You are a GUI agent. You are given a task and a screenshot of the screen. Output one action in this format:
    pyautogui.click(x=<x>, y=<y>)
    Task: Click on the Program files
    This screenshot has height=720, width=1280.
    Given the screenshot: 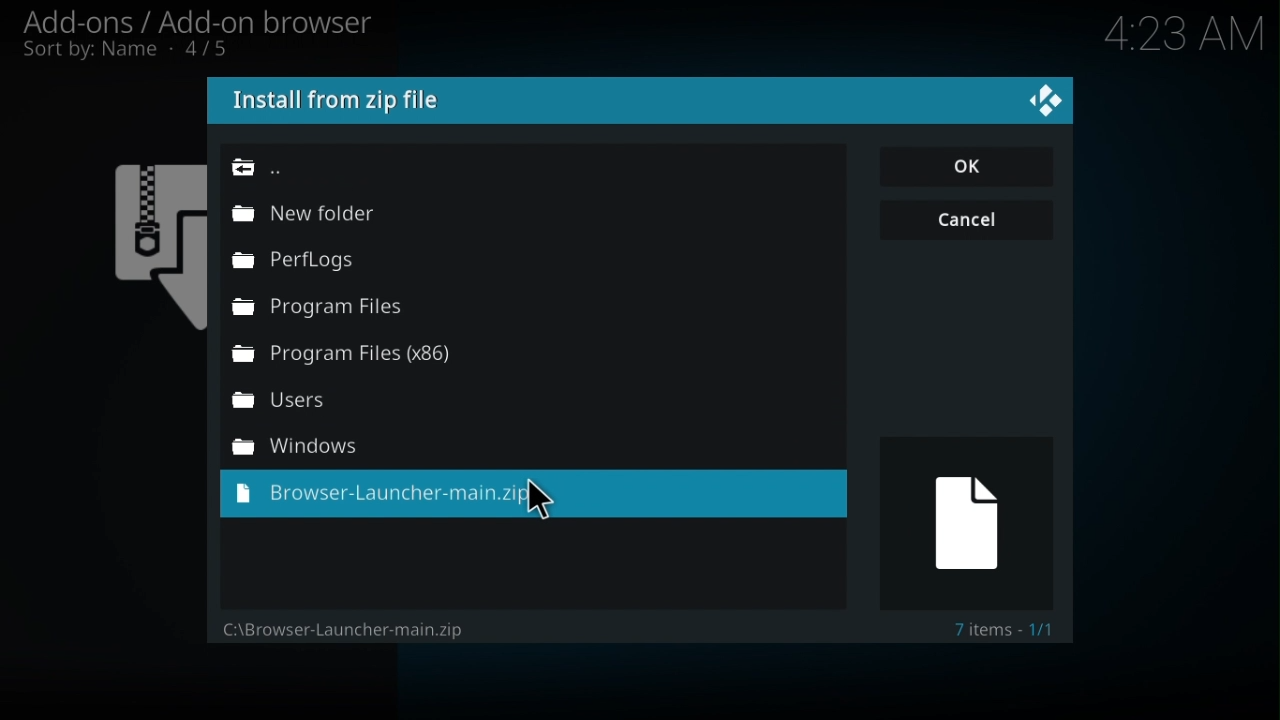 What is the action you would take?
    pyautogui.click(x=328, y=308)
    